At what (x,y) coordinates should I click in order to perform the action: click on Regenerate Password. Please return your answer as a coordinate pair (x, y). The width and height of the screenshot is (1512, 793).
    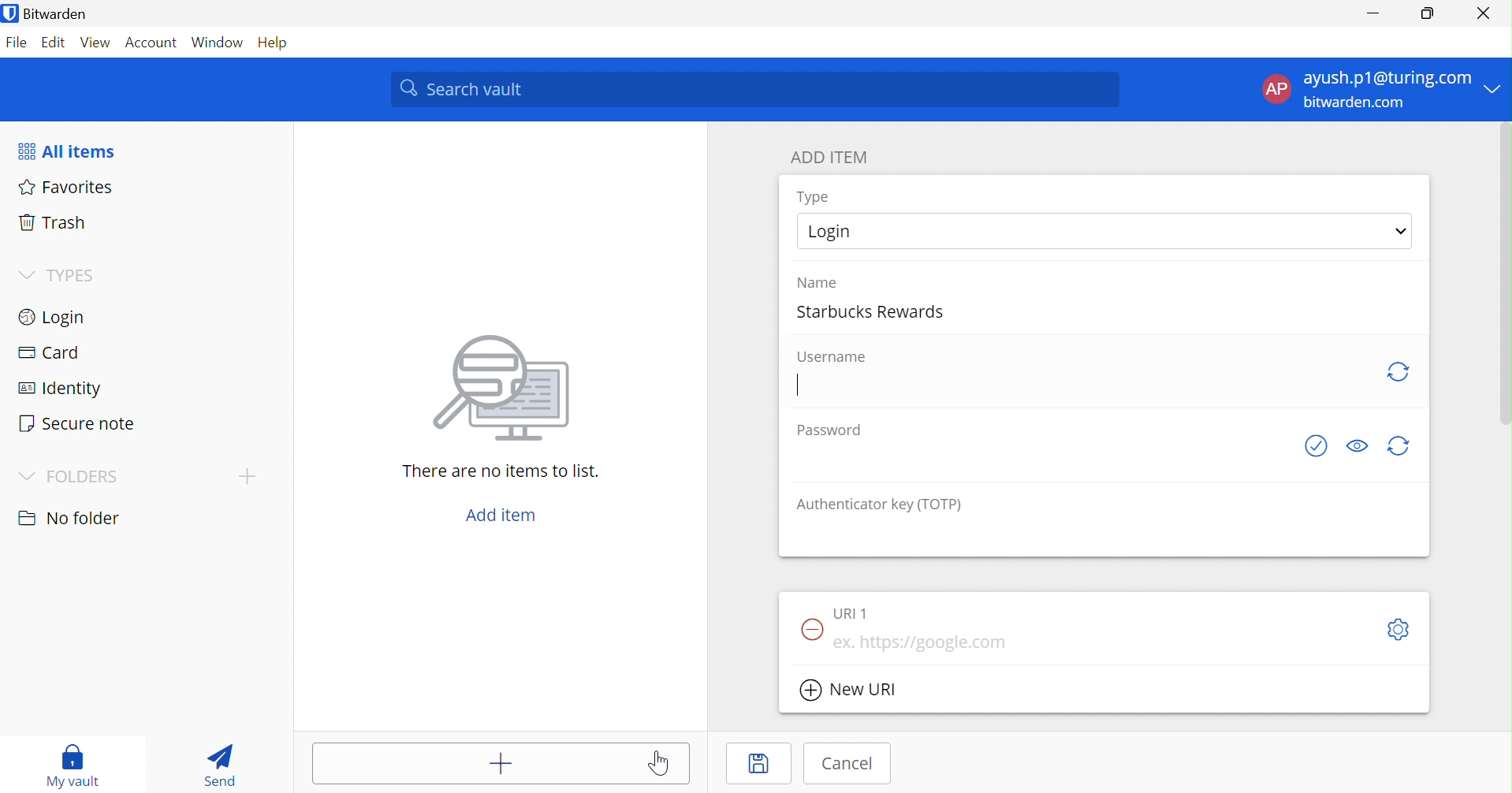
    Looking at the image, I should click on (1399, 446).